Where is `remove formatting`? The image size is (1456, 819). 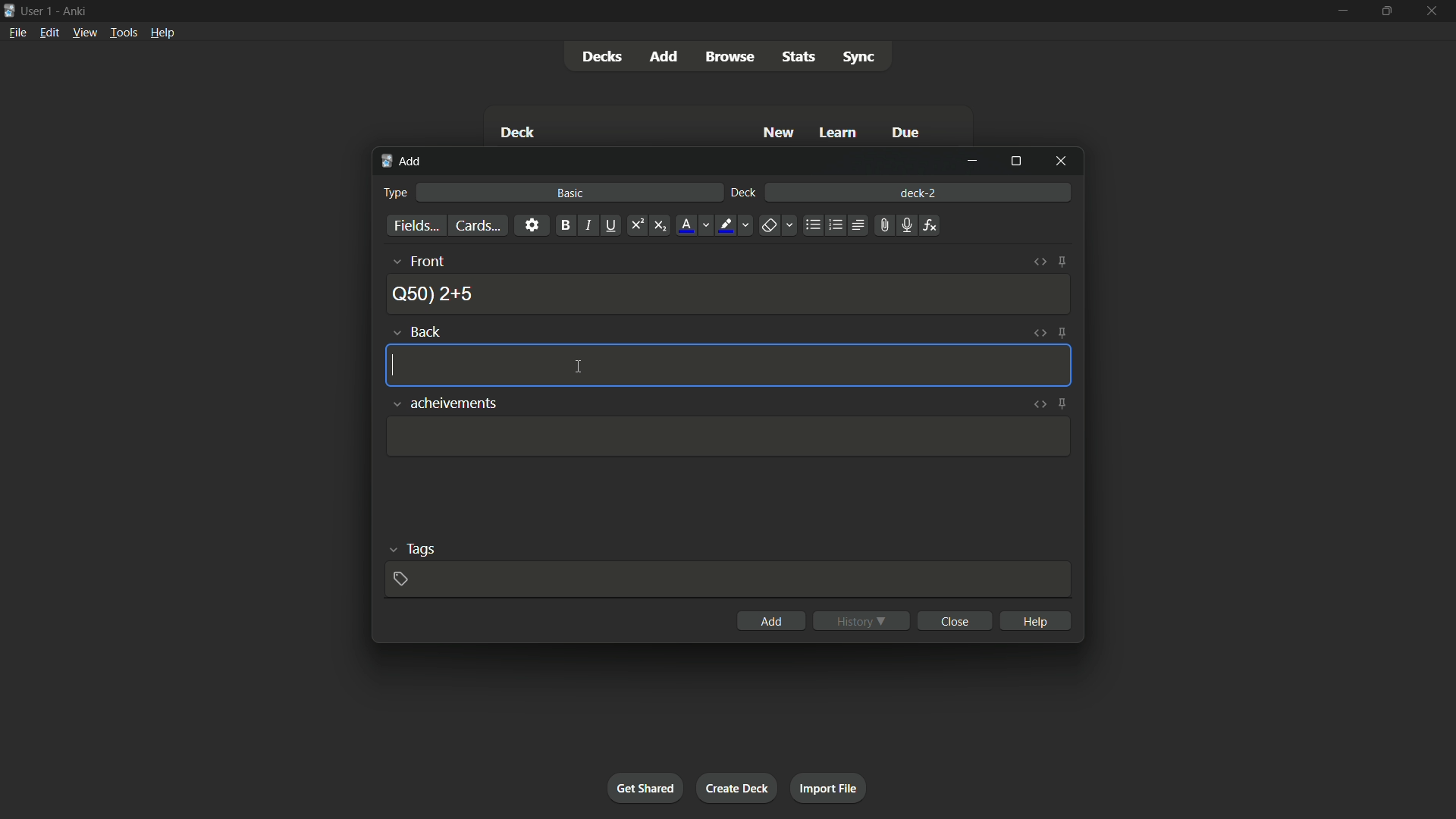
remove formatting is located at coordinates (779, 224).